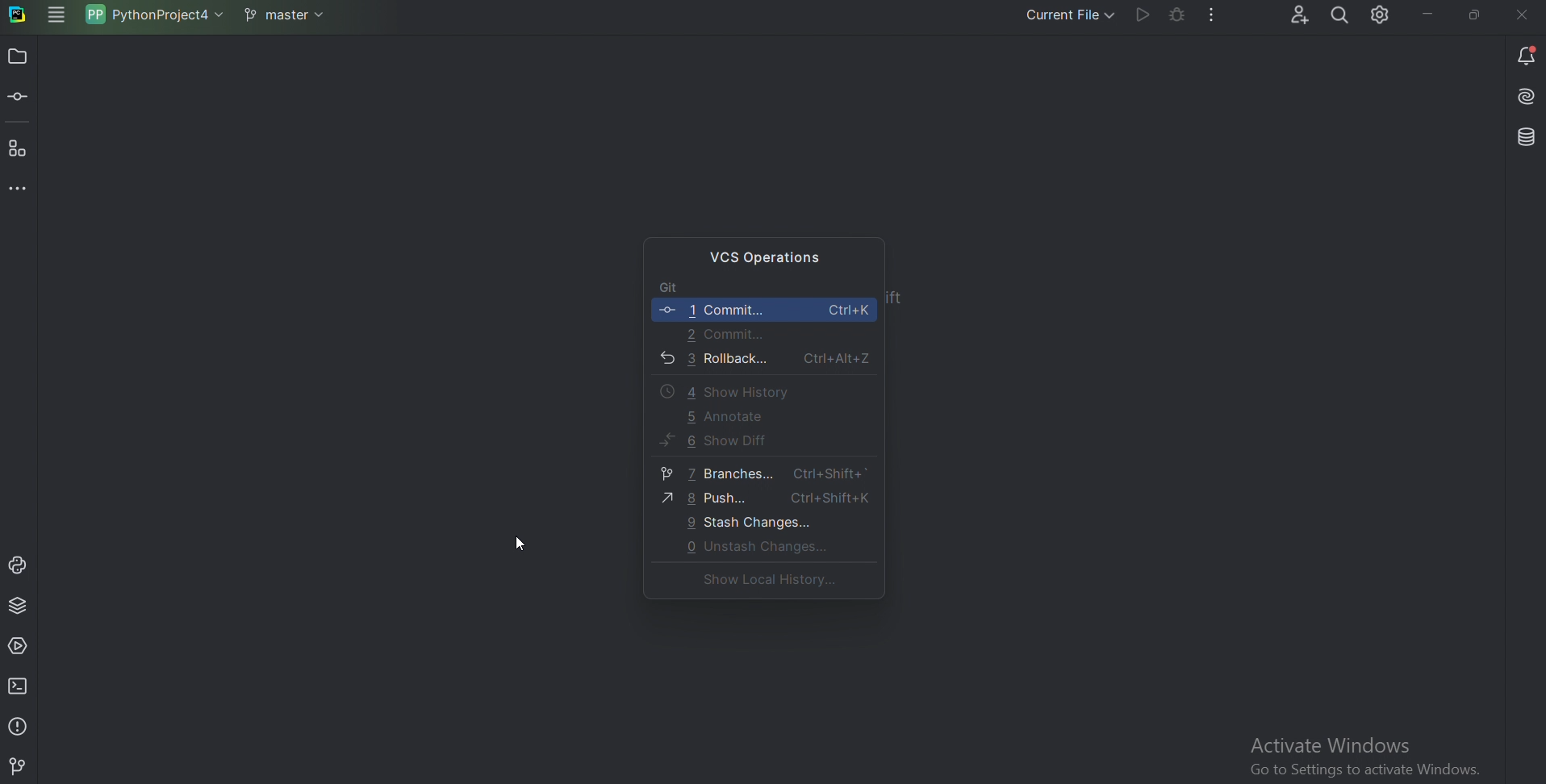 The width and height of the screenshot is (1546, 784). I want to click on Git , so click(680, 286).